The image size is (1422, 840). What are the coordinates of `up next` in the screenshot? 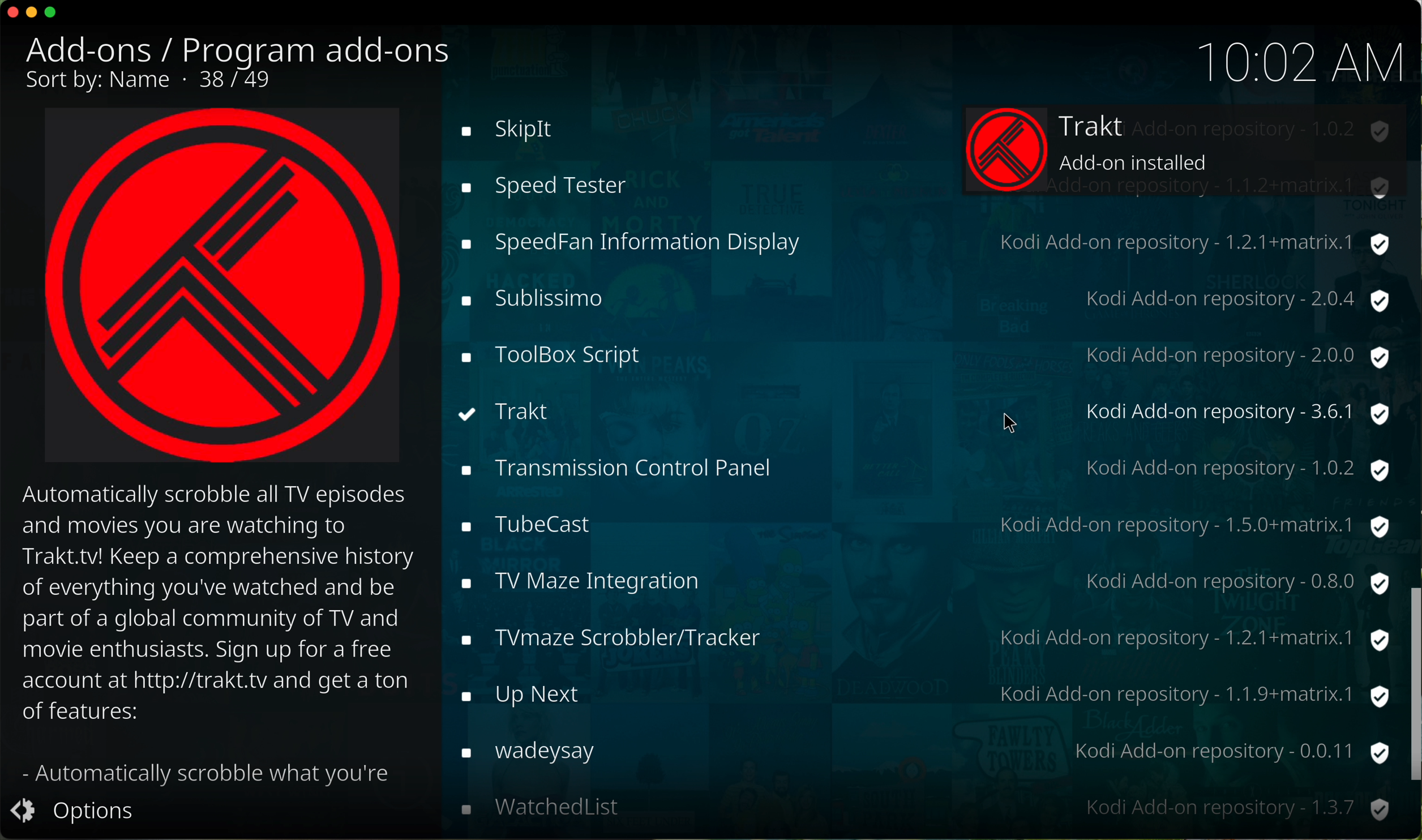 It's located at (923, 466).